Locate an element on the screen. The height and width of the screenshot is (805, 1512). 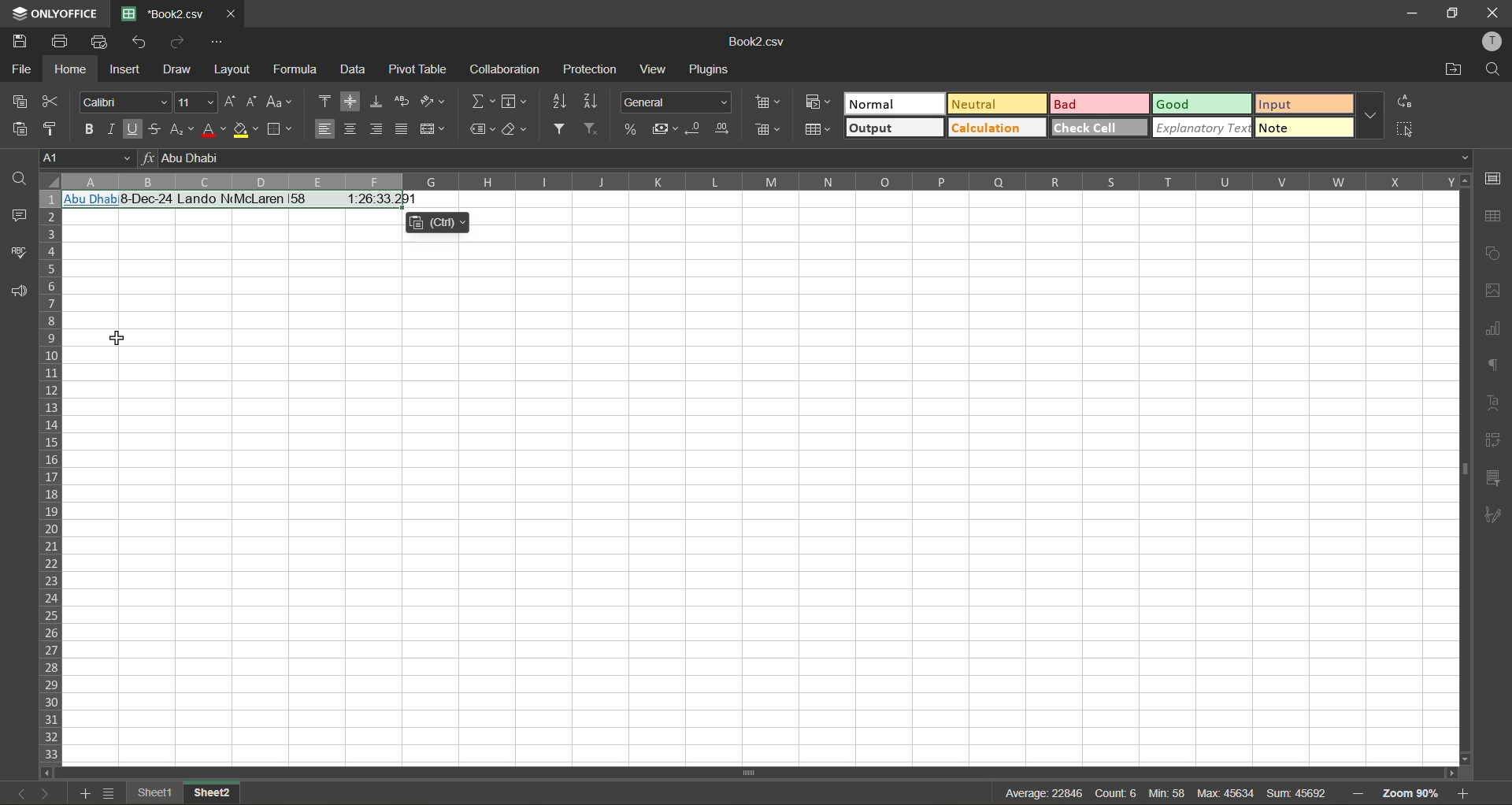
neutral is located at coordinates (994, 103).